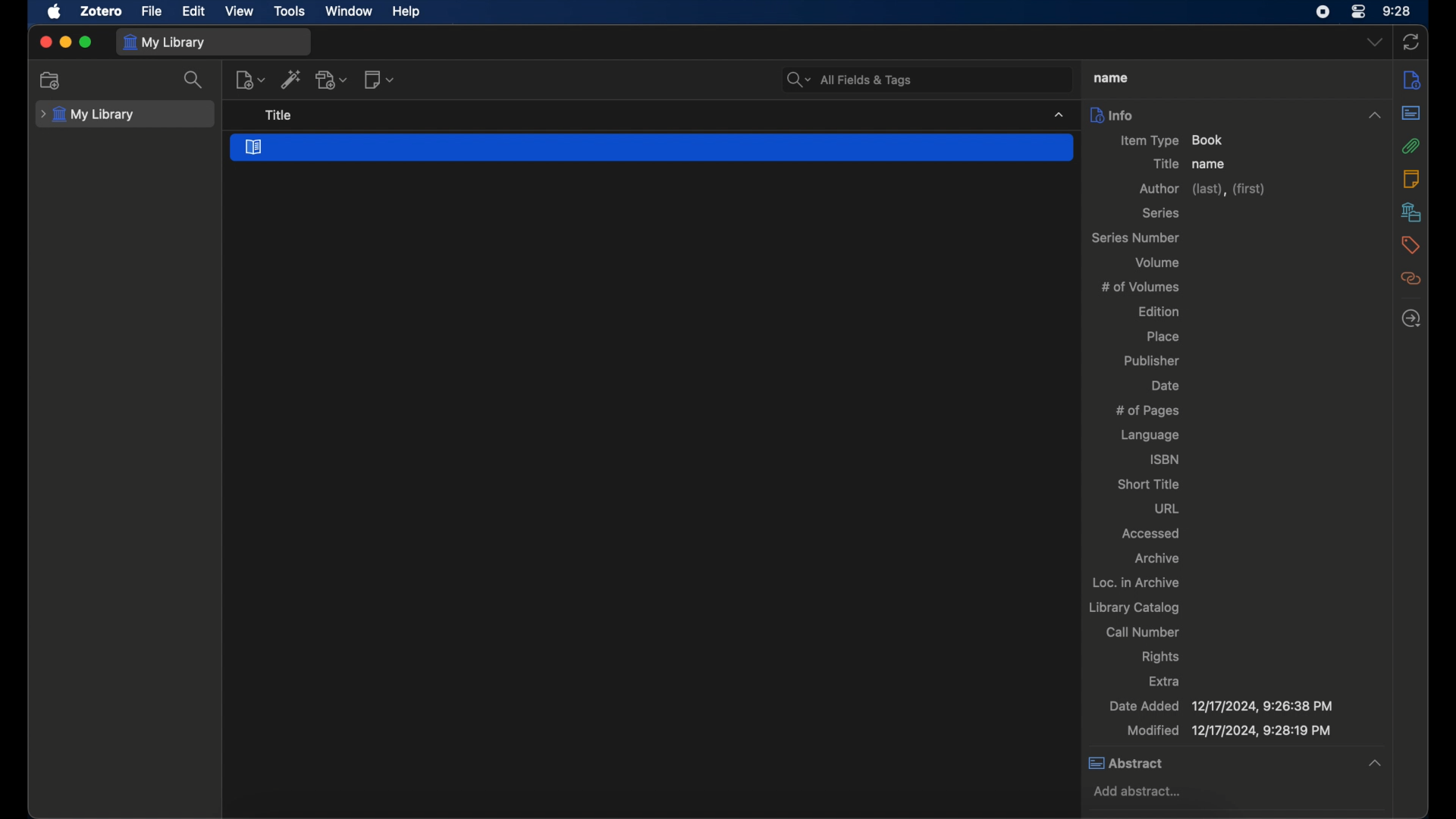 The height and width of the screenshot is (819, 1456). Describe the element at coordinates (1212, 164) in the screenshot. I see `name` at that location.